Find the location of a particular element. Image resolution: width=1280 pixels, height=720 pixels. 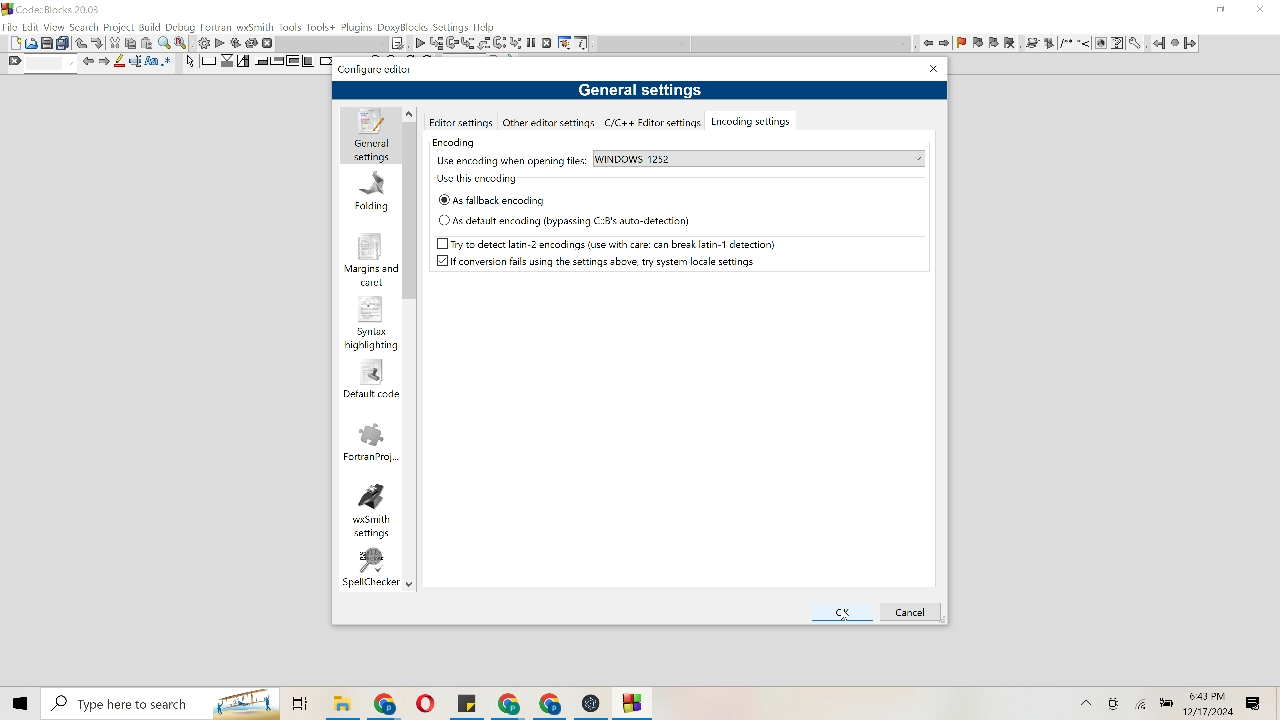

Try to detect latin-2 encodings is located at coordinates (605, 242).